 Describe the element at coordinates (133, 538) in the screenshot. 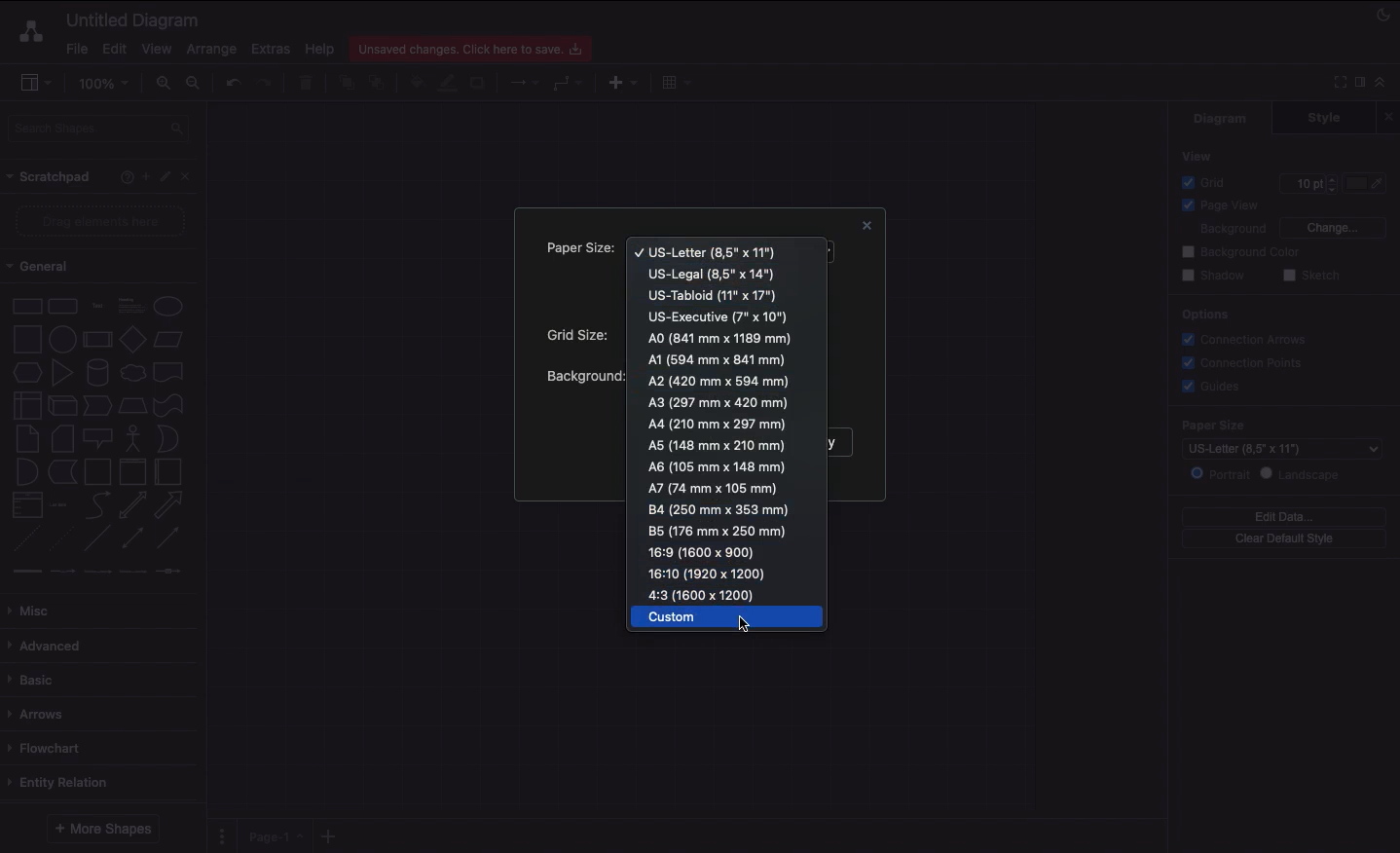

I see `Bidirectional connector` at that location.